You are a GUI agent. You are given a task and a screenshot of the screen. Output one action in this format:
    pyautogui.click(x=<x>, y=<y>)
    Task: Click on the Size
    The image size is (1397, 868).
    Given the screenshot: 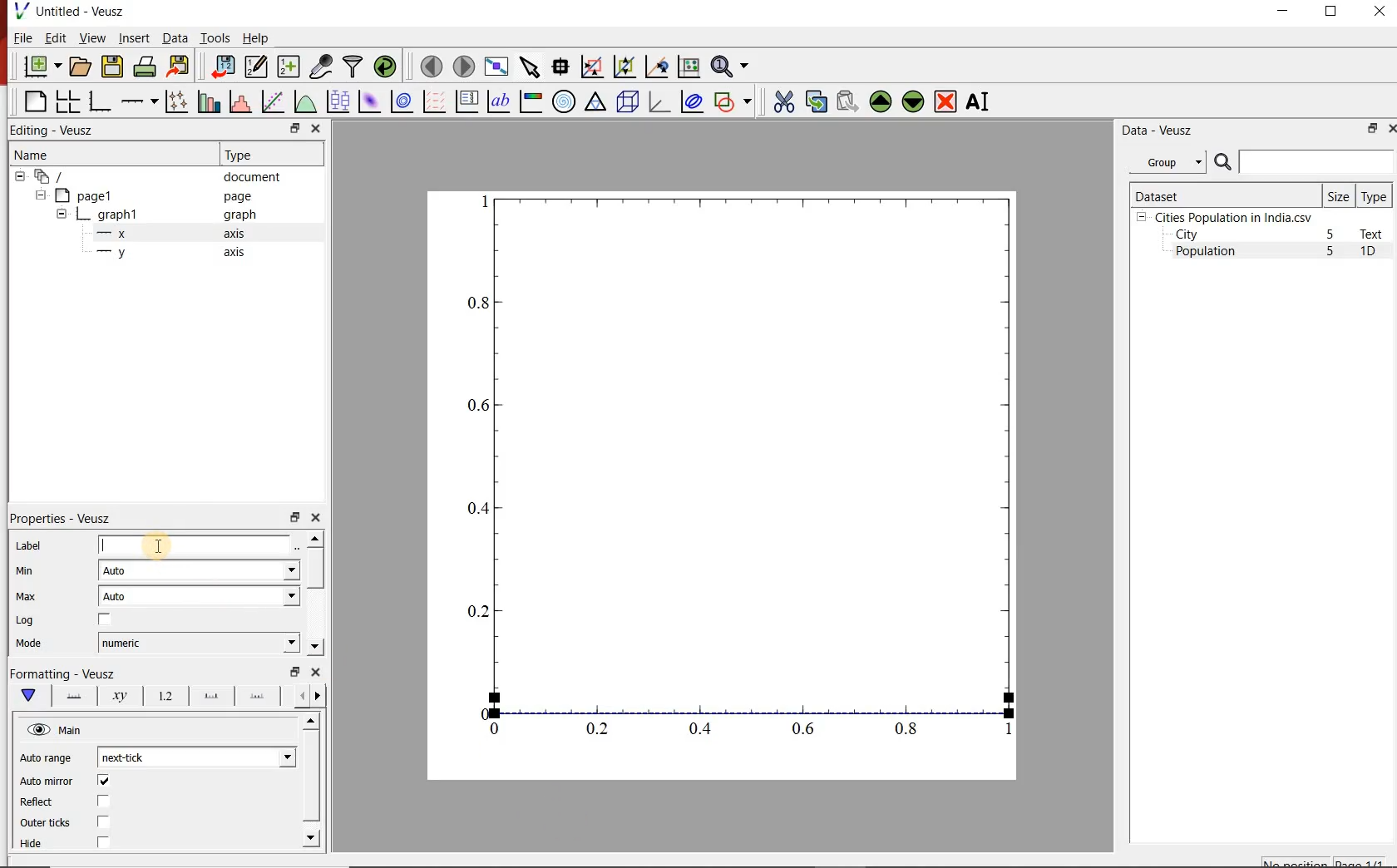 What is the action you would take?
    pyautogui.click(x=1339, y=195)
    